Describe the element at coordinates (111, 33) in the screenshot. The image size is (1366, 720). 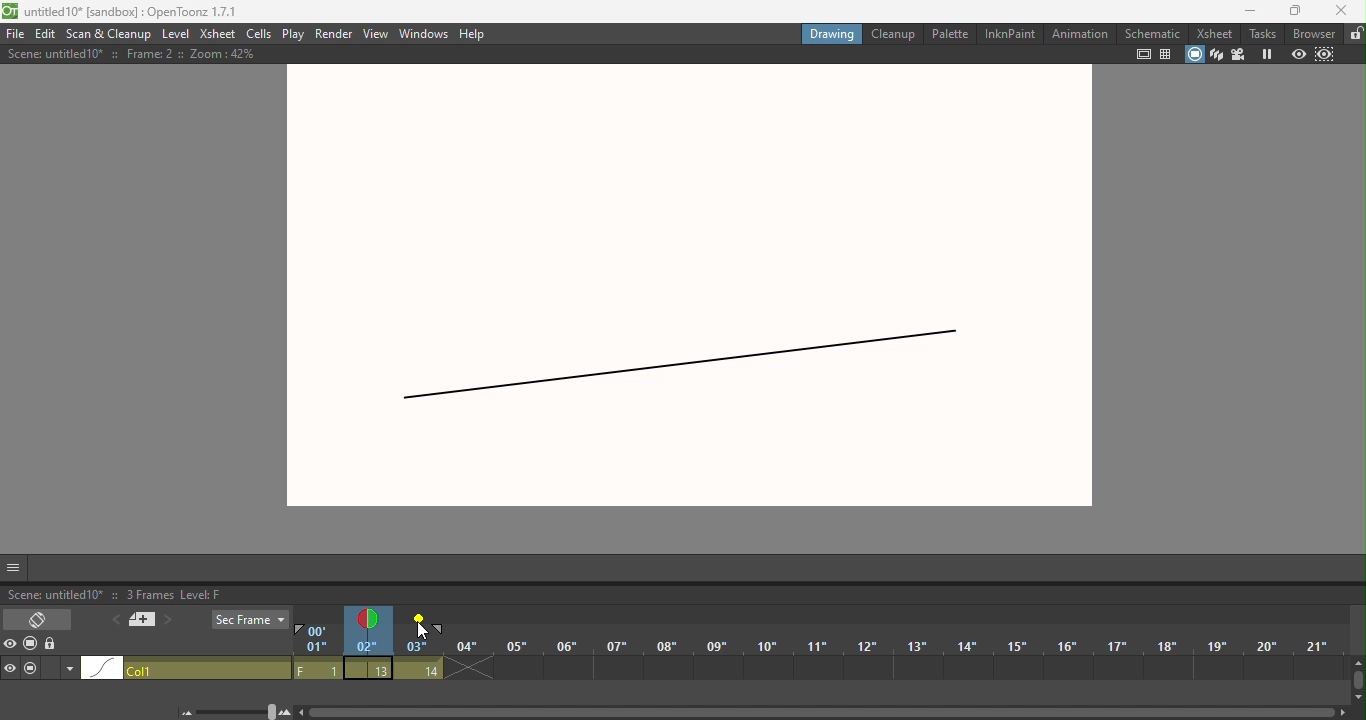
I see `Scan & Cleanup` at that location.